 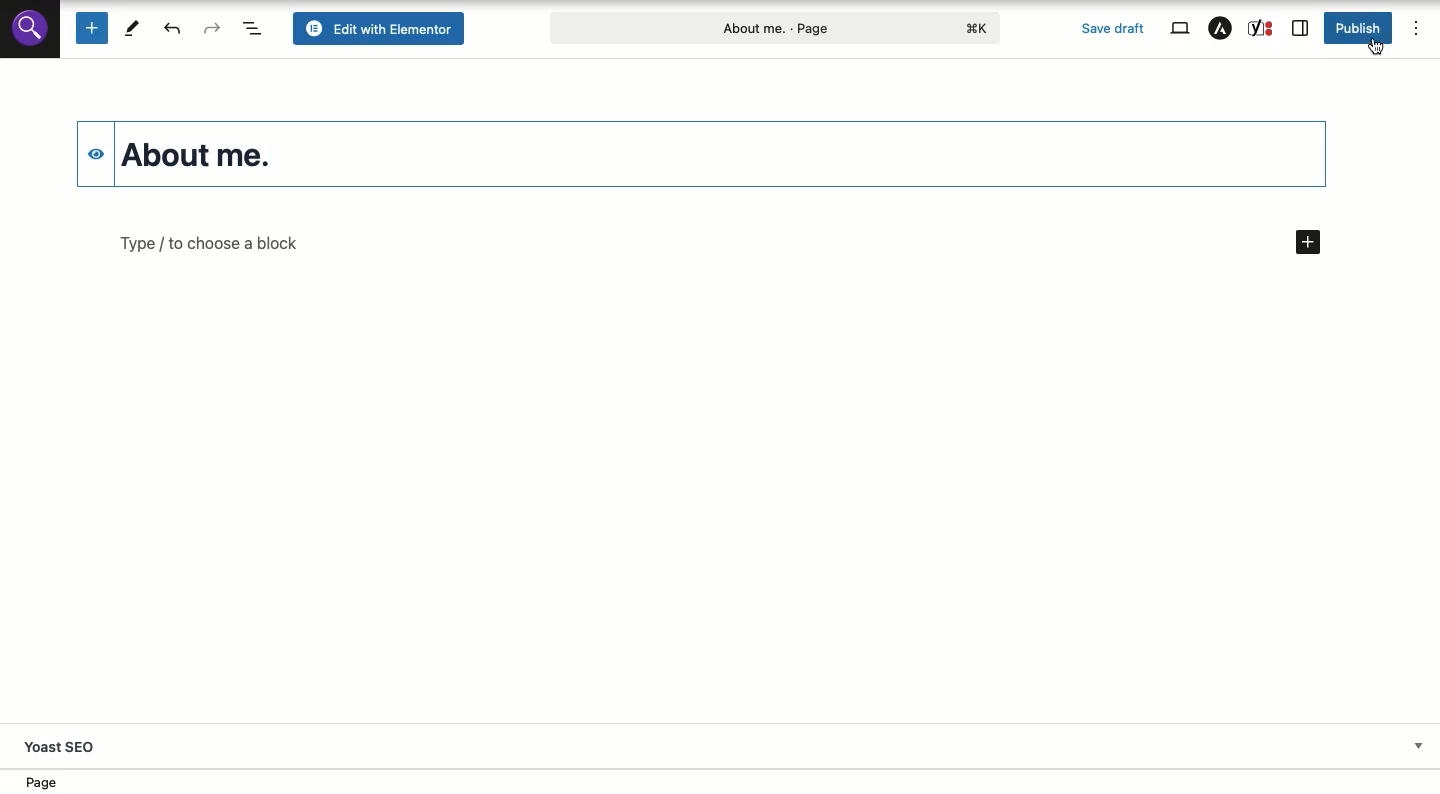 I want to click on Add new block, so click(x=90, y=28).